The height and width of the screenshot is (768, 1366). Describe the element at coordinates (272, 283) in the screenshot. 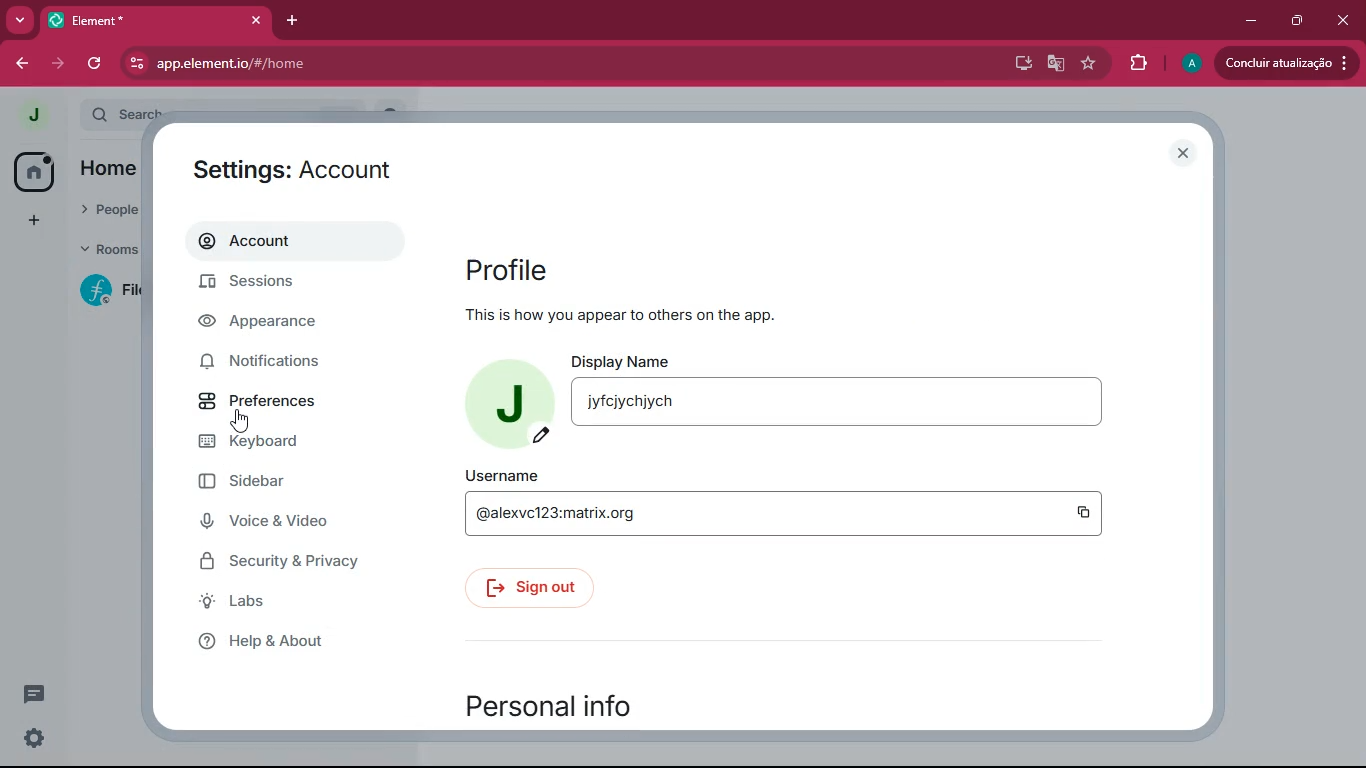

I see `sessions` at that location.